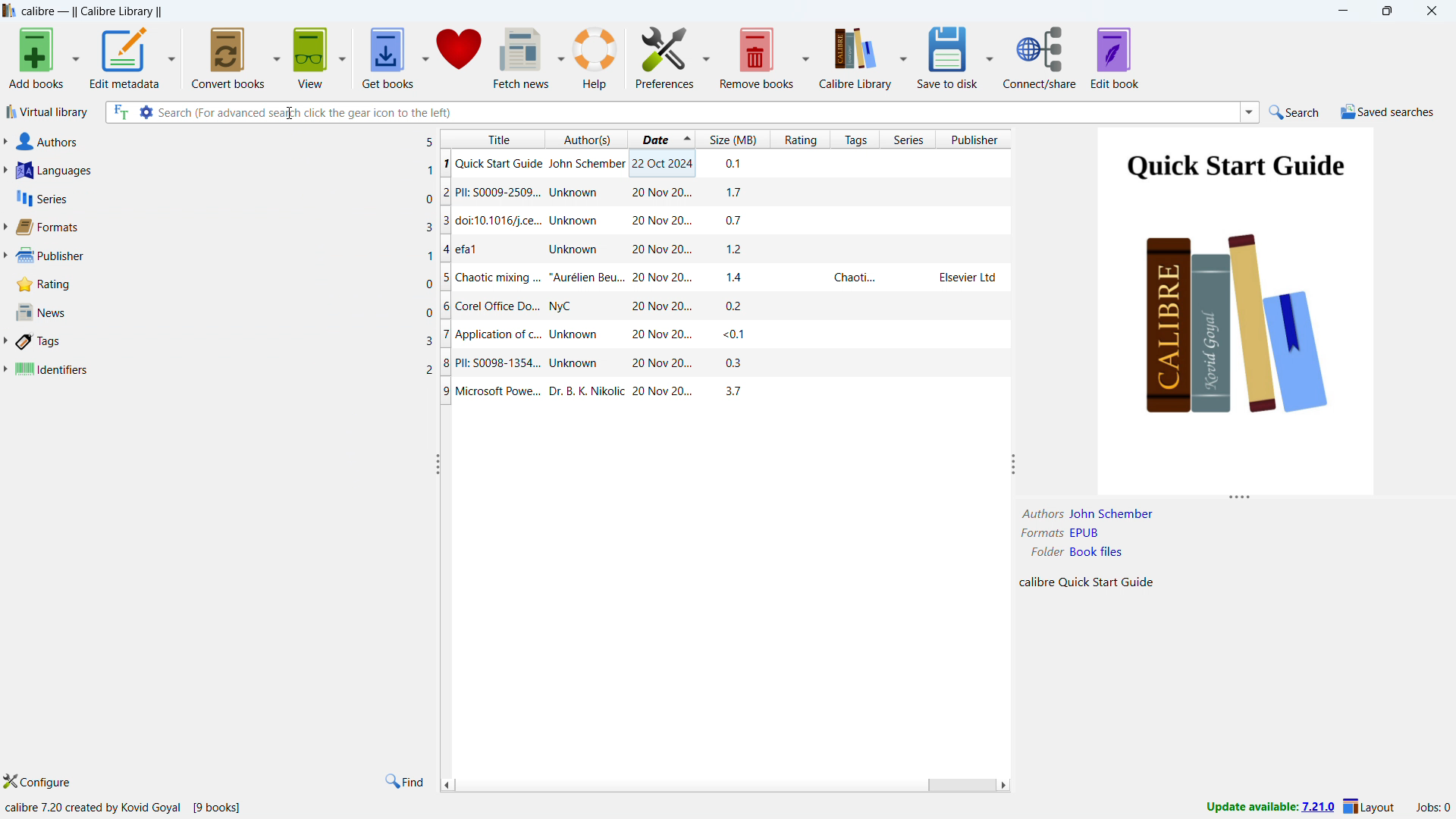  Describe the element at coordinates (437, 465) in the screenshot. I see `resize` at that location.